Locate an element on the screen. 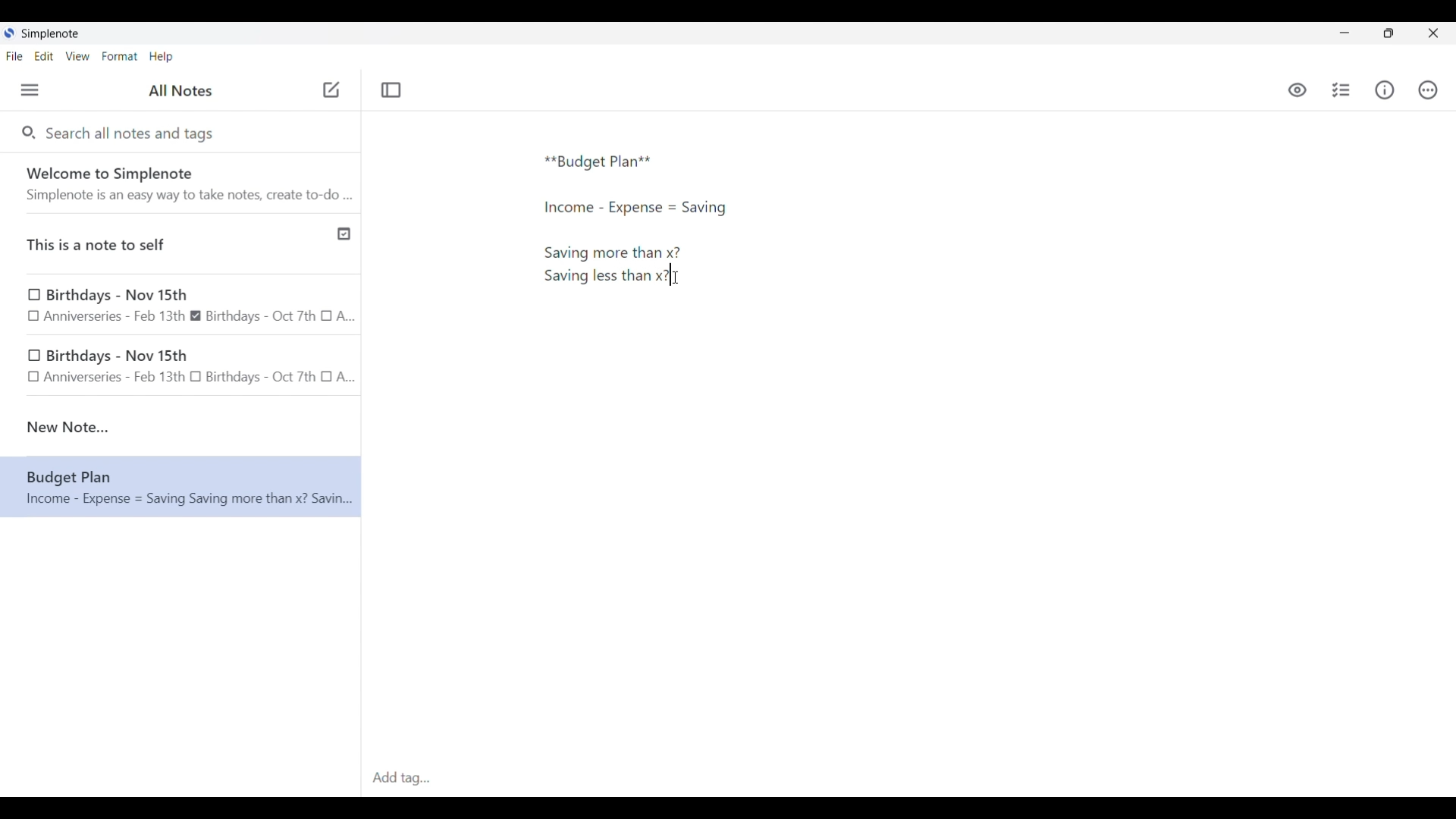 This screenshot has width=1456, height=819. View menu is located at coordinates (78, 55).